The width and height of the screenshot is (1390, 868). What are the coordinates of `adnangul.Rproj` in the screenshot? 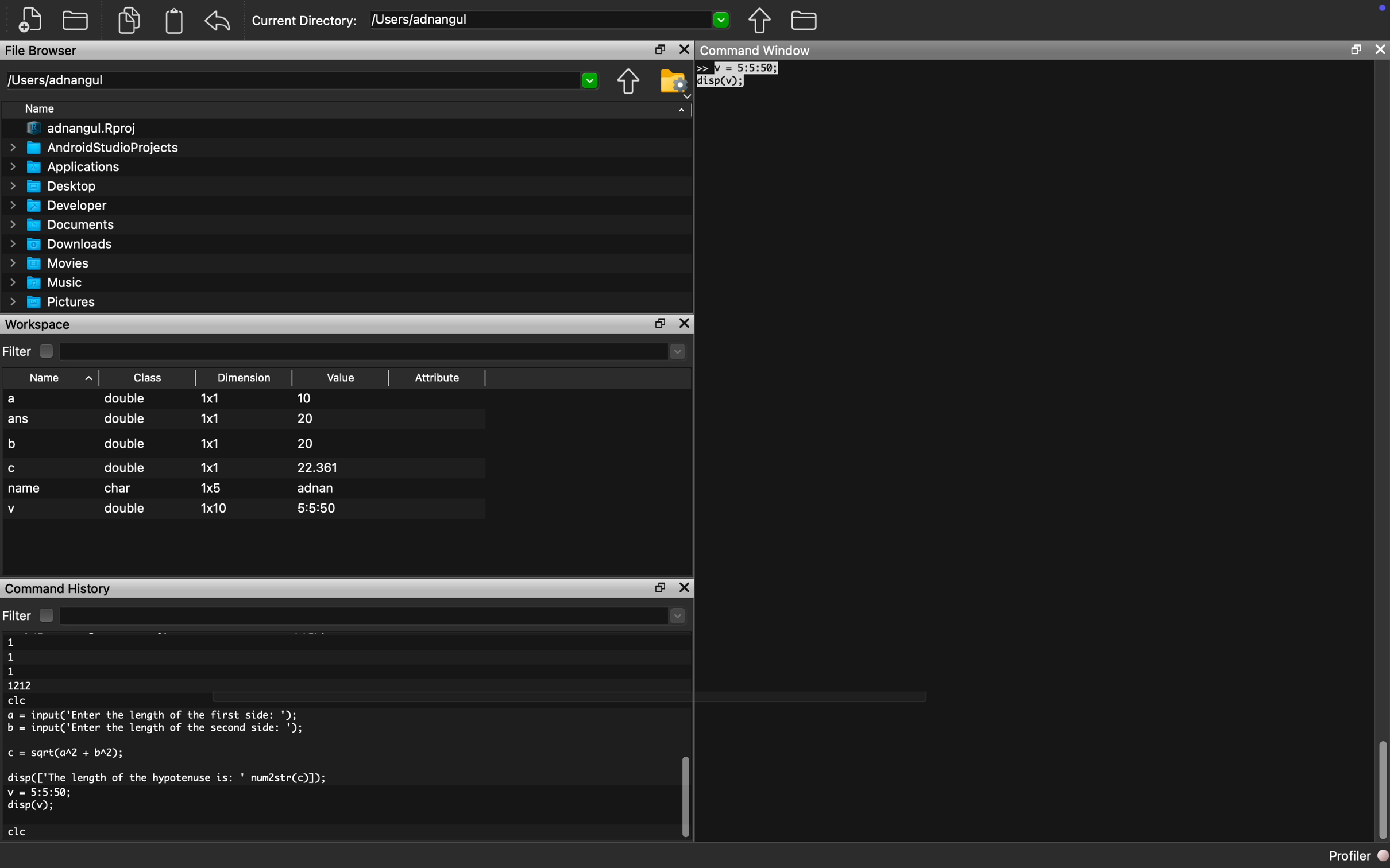 It's located at (86, 128).